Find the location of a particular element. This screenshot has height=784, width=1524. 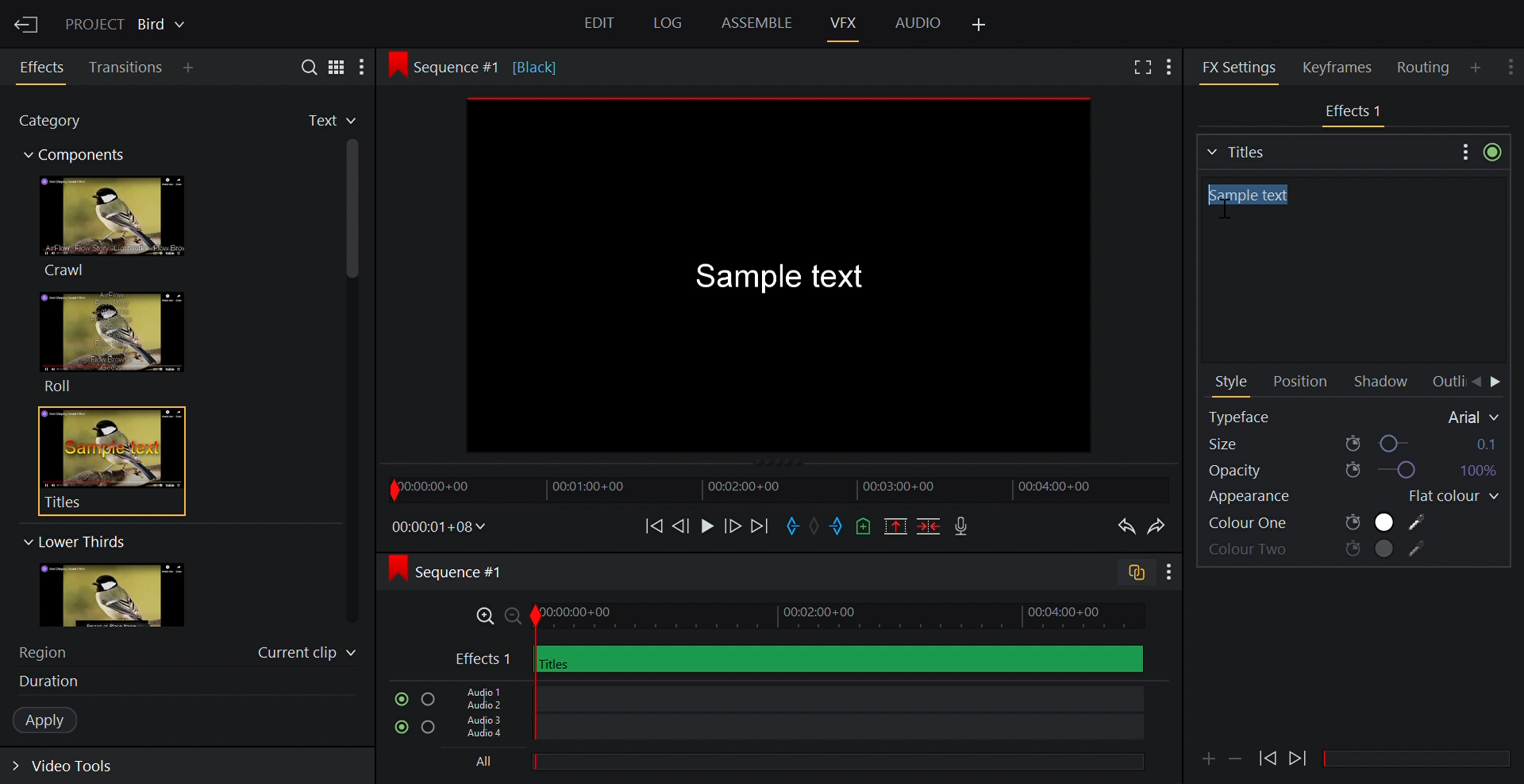

Add Panel is located at coordinates (980, 25).